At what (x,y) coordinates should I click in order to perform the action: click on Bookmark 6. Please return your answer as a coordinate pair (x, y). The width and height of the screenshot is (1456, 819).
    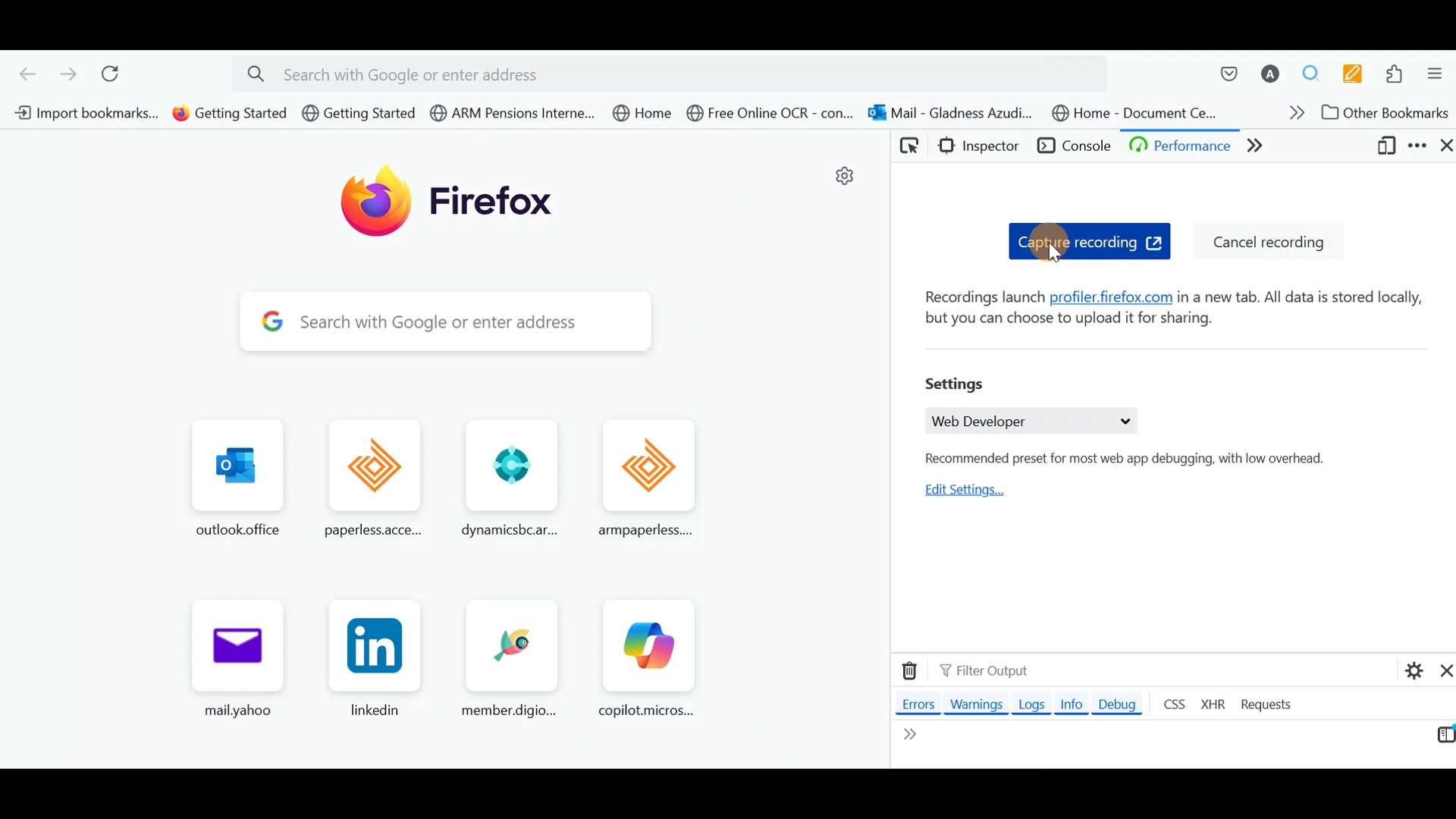
    Looking at the image, I should click on (770, 117).